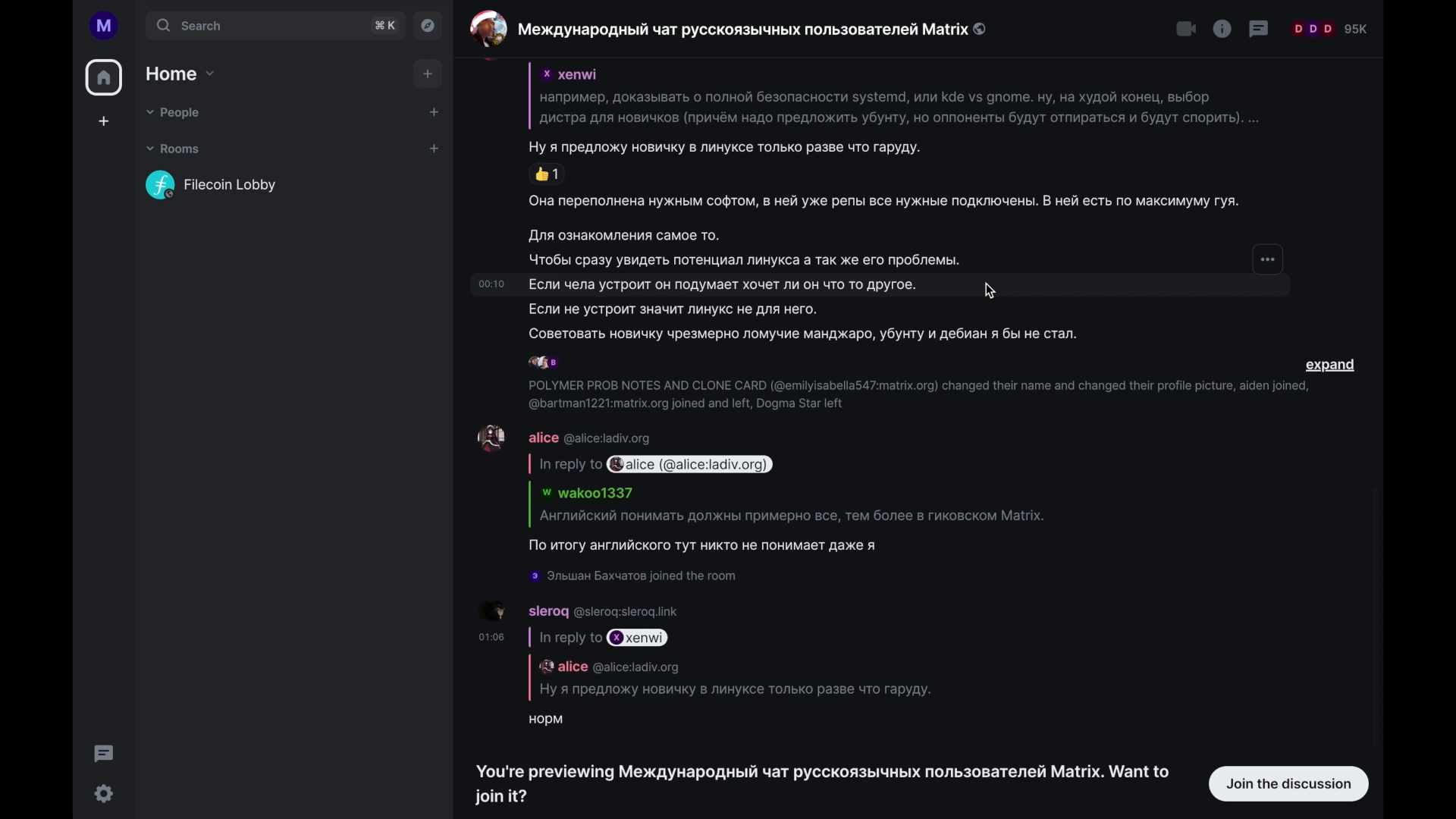  What do you see at coordinates (752, 29) in the screenshot?
I see `Международный чат русскоязычных пользователей Matrix` at bounding box center [752, 29].